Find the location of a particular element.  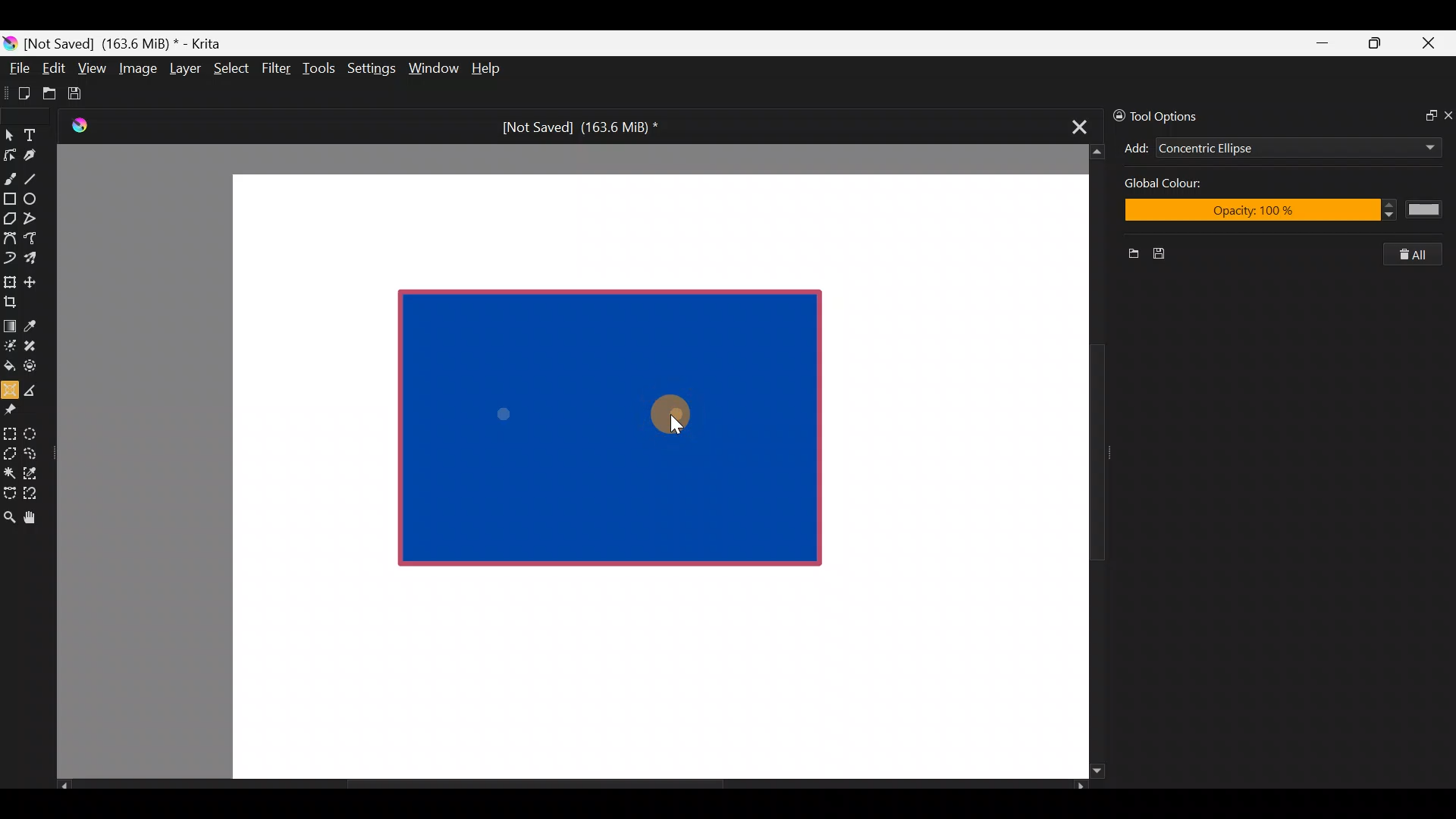

Polygonal section tool is located at coordinates (9, 450).